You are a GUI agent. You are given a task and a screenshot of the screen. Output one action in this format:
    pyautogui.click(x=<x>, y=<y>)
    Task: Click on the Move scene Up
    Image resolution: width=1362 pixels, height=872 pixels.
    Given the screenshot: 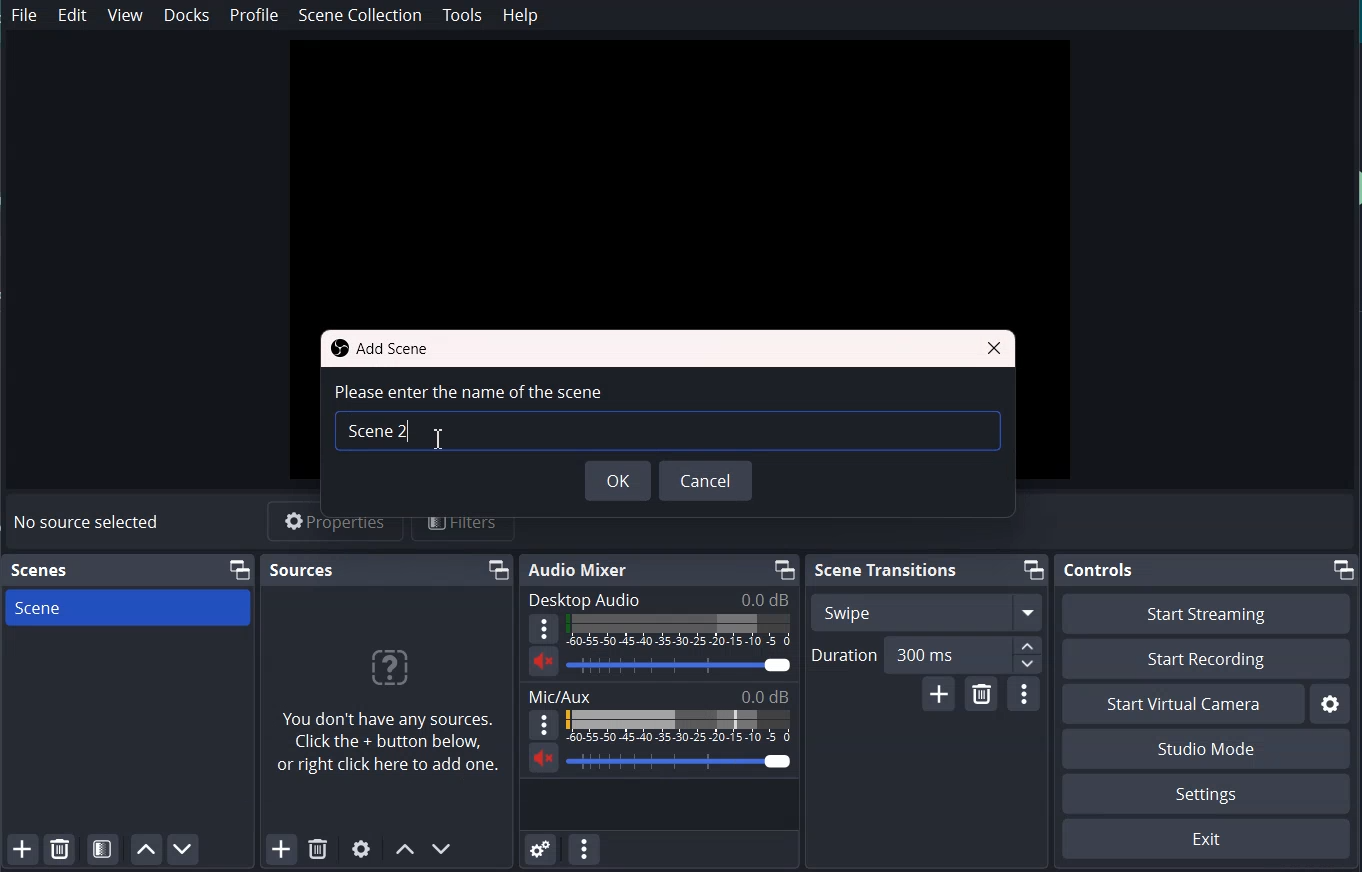 What is the action you would take?
    pyautogui.click(x=403, y=851)
    